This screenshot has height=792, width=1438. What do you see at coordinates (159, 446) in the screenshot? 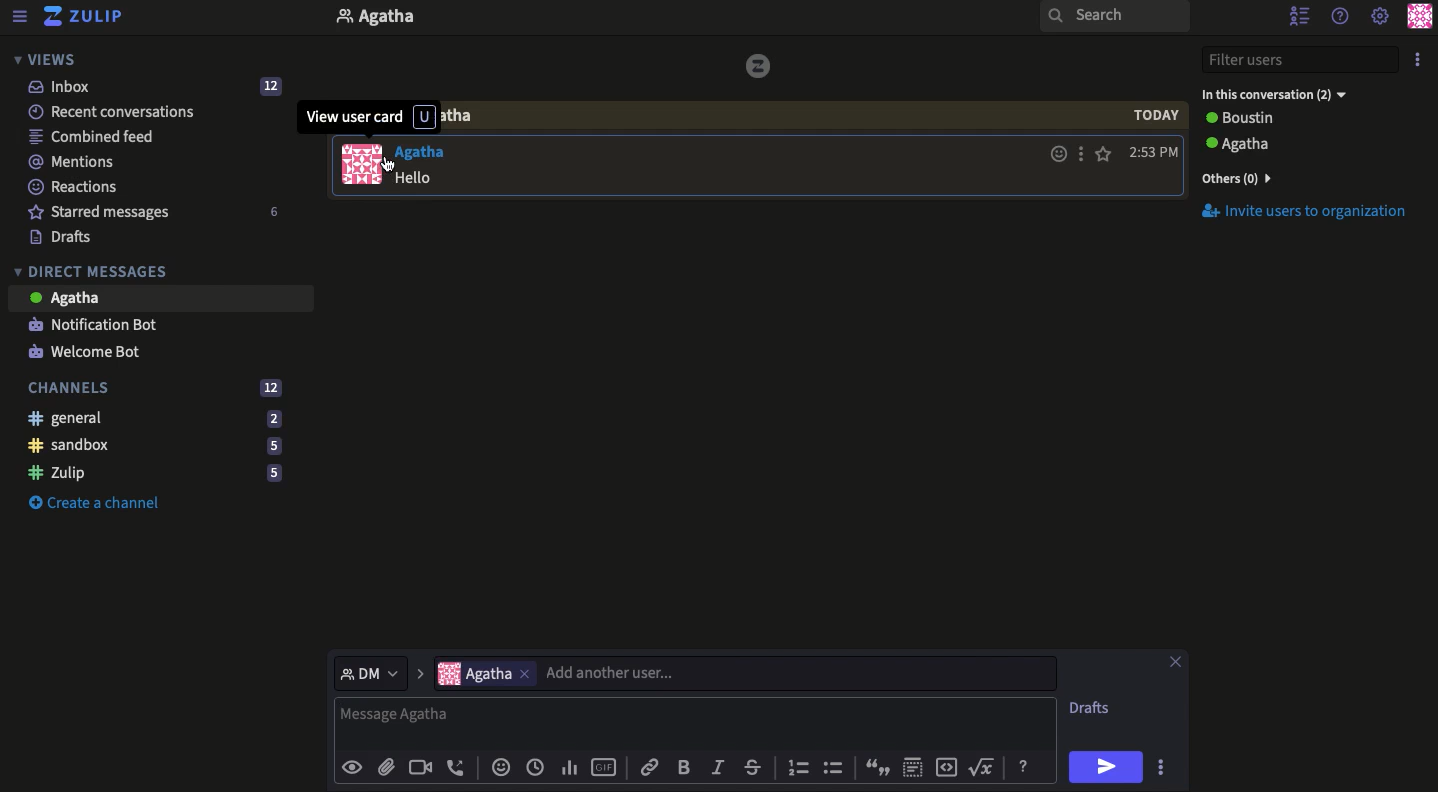
I see `Sandbox` at bounding box center [159, 446].